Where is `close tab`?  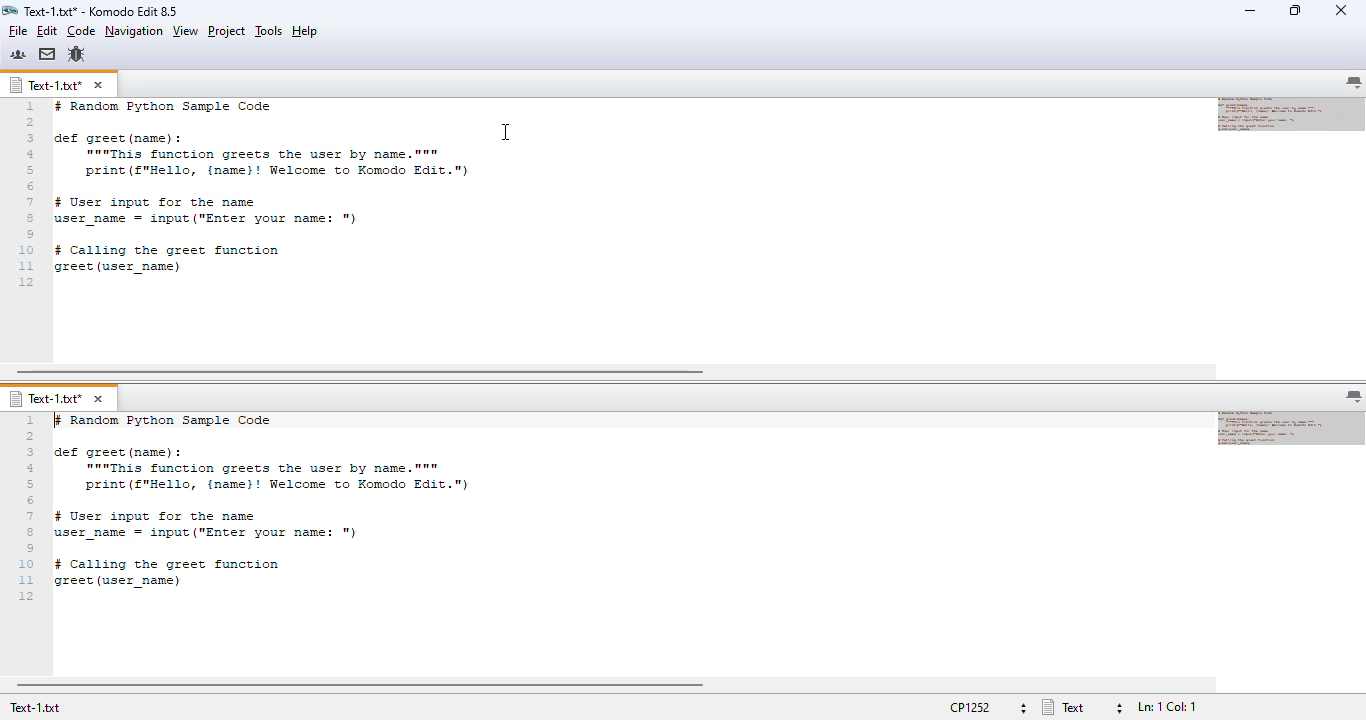 close tab is located at coordinates (101, 399).